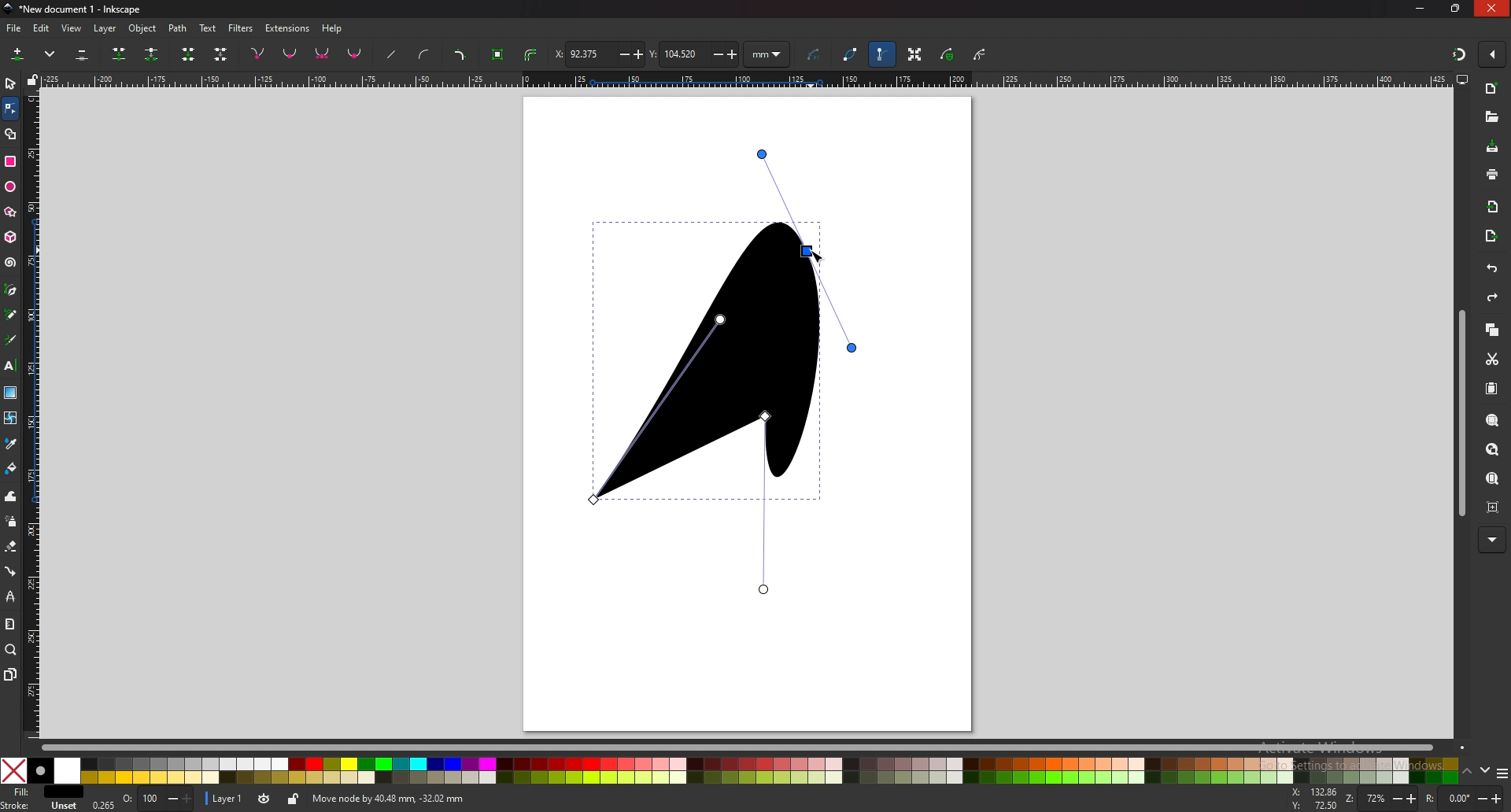 The height and width of the screenshot is (812, 1511). I want to click on zoom drawing, so click(1494, 450).